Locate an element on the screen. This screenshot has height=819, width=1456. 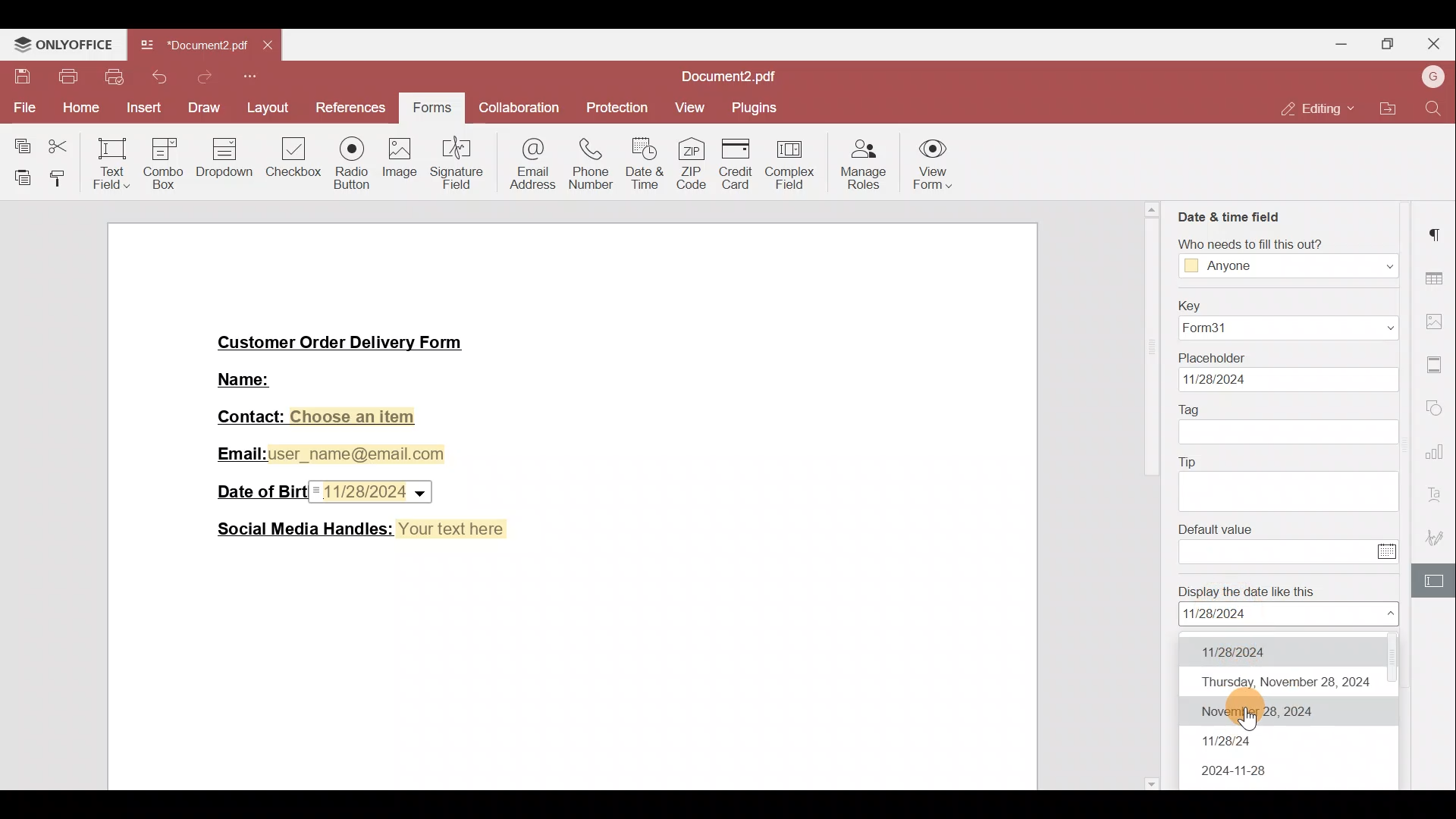
ONLYOFFICE is located at coordinates (63, 42).